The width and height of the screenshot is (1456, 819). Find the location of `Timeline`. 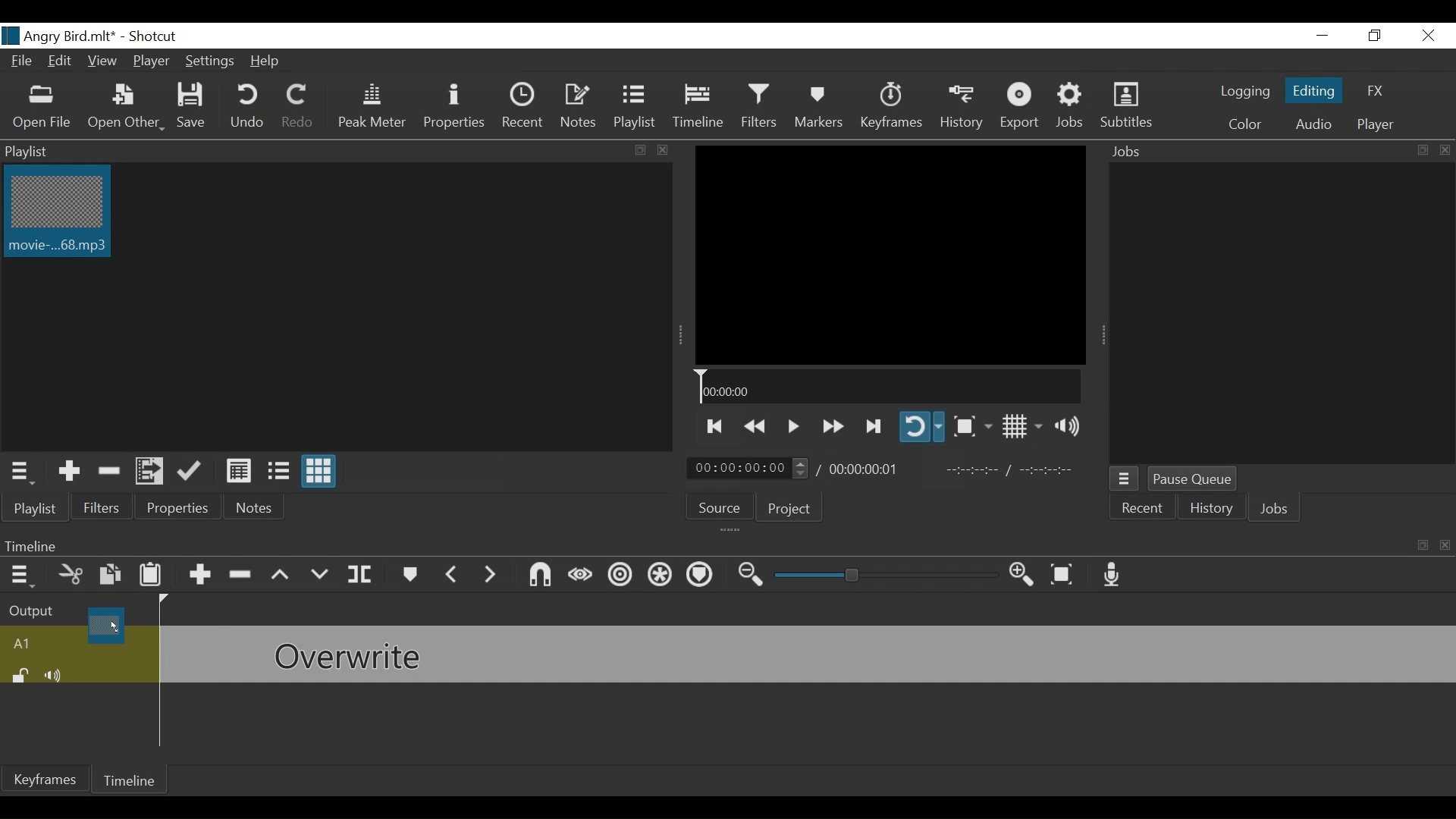

Timeline is located at coordinates (128, 780).